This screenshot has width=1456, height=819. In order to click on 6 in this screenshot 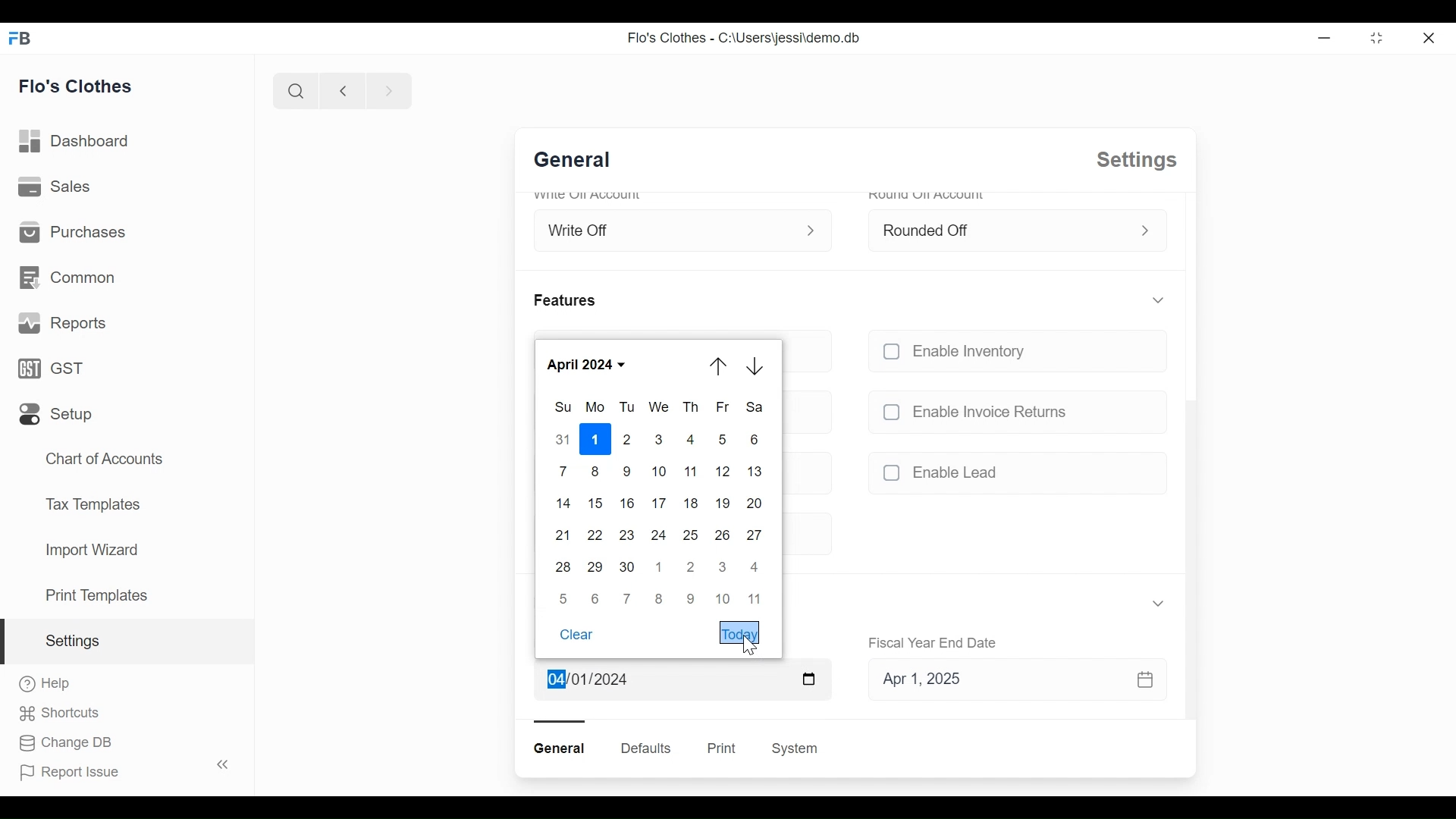, I will do `click(753, 439)`.